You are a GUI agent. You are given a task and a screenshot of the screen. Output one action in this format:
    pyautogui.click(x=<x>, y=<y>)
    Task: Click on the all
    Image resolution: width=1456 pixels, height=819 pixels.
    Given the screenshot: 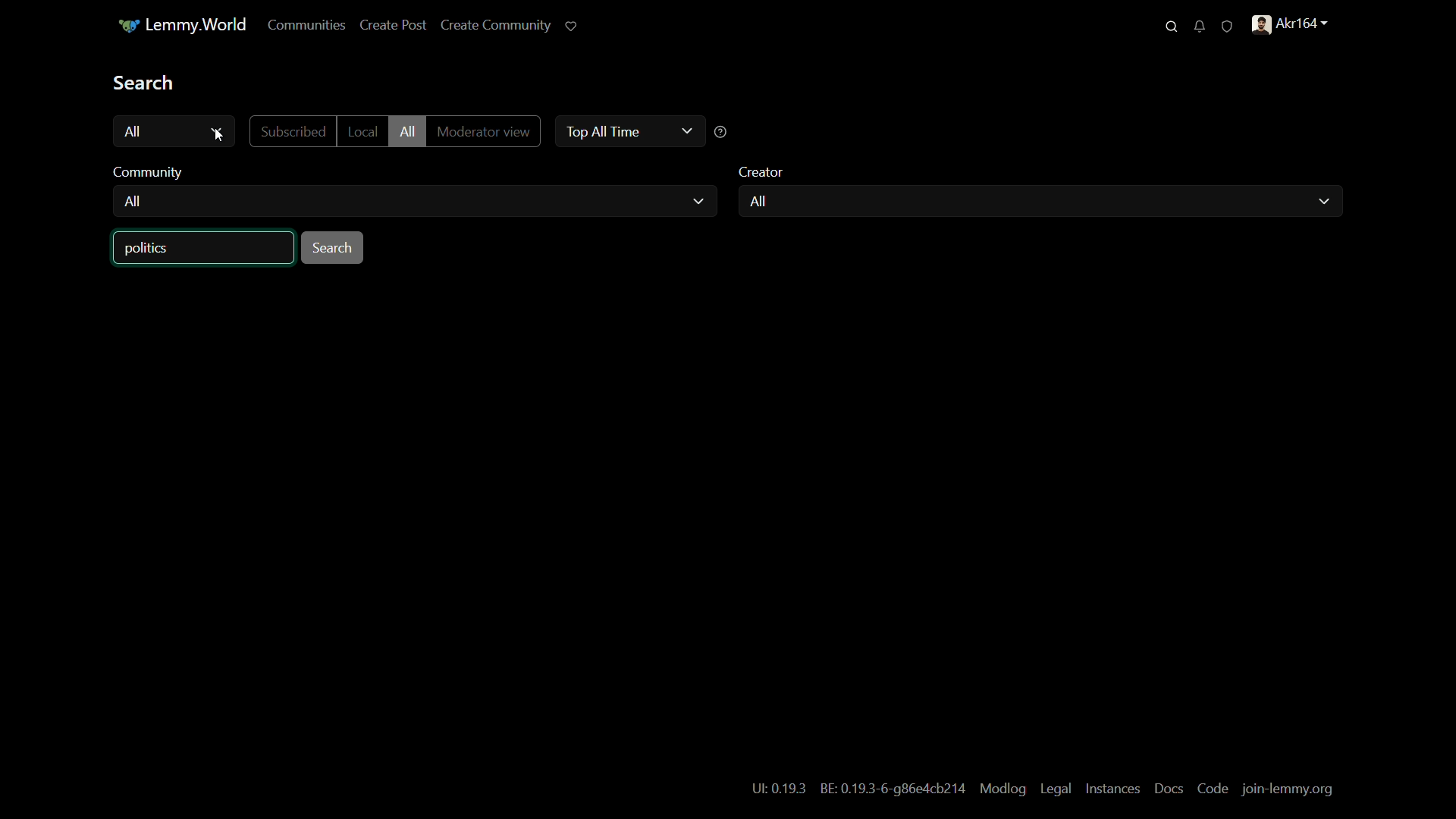 What is the action you would take?
    pyautogui.click(x=757, y=202)
    